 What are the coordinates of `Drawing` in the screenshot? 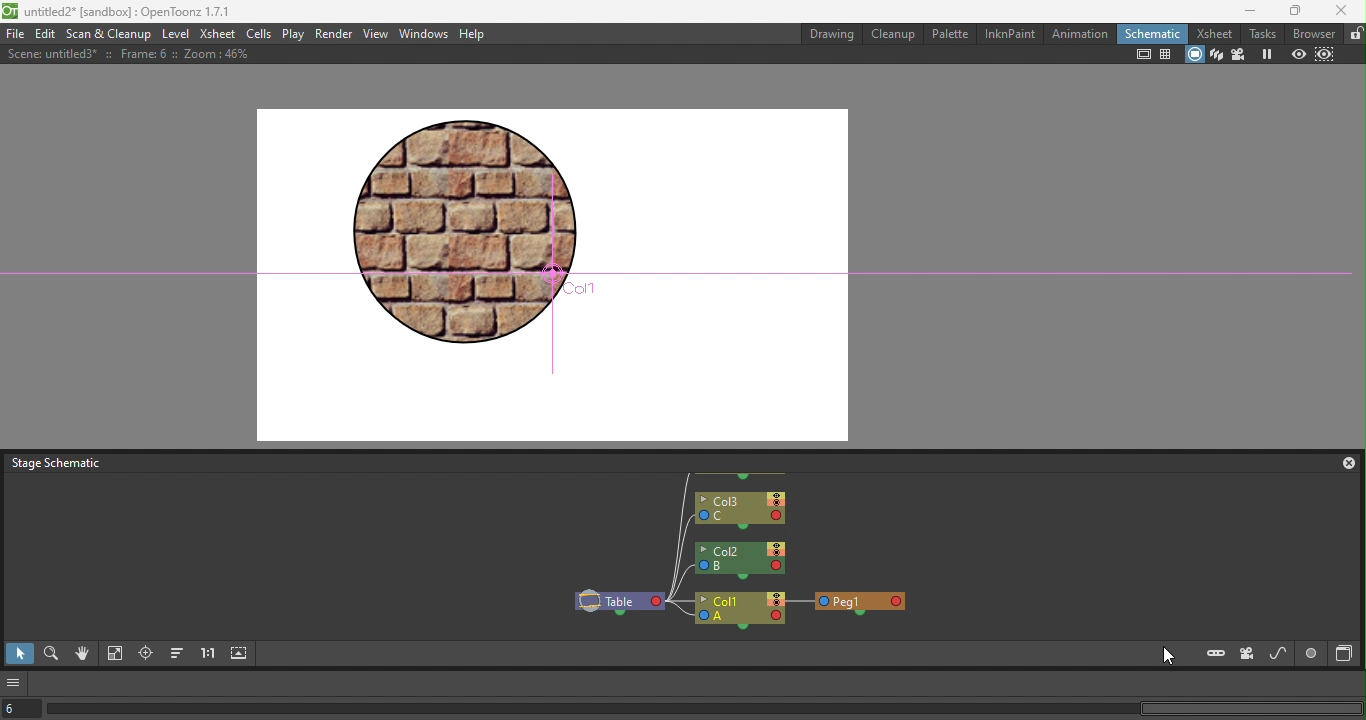 It's located at (833, 34).